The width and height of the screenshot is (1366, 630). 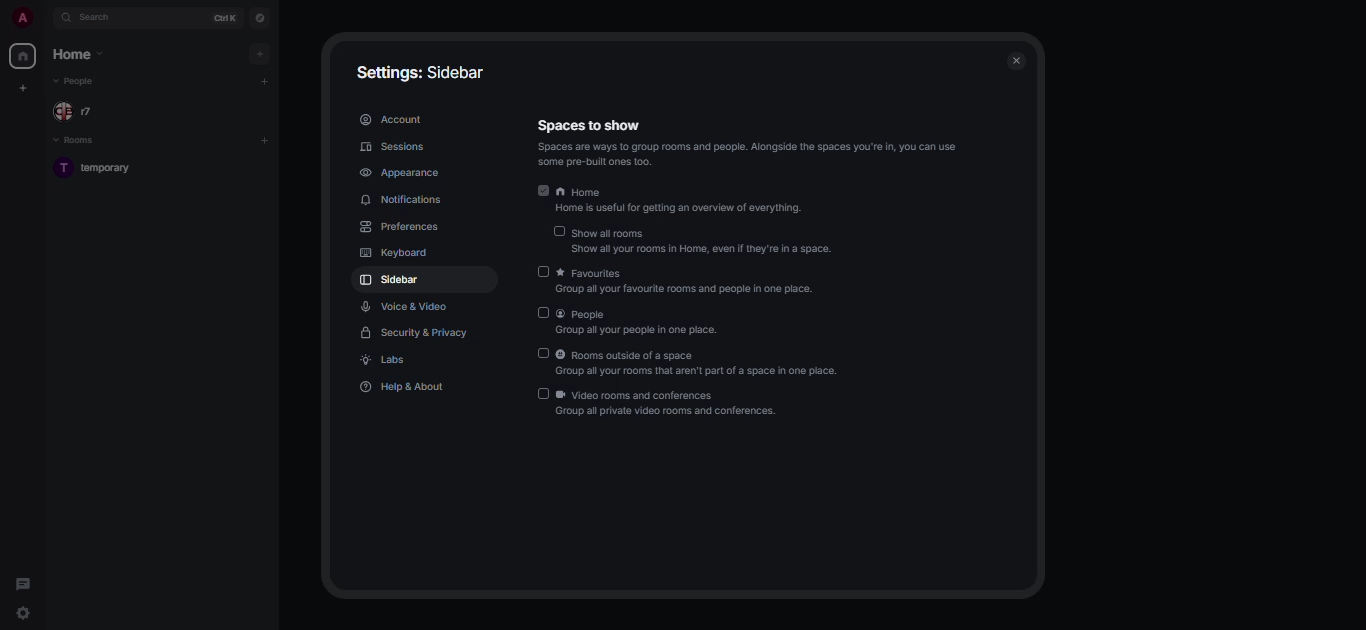 I want to click on enabled, so click(x=542, y=191).